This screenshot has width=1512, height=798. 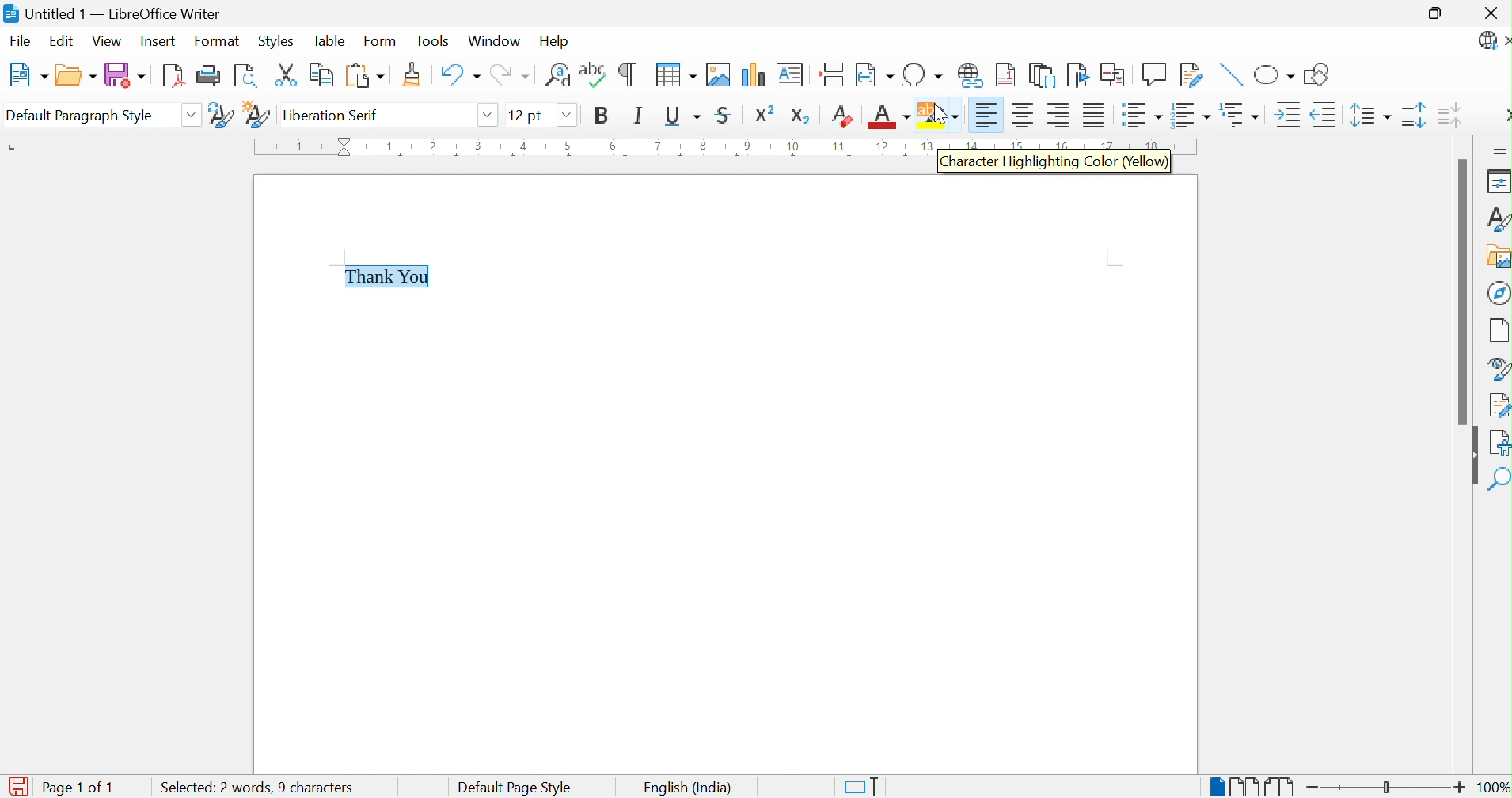 I want to click on Increase Indent, so click(x=1286, y=115).